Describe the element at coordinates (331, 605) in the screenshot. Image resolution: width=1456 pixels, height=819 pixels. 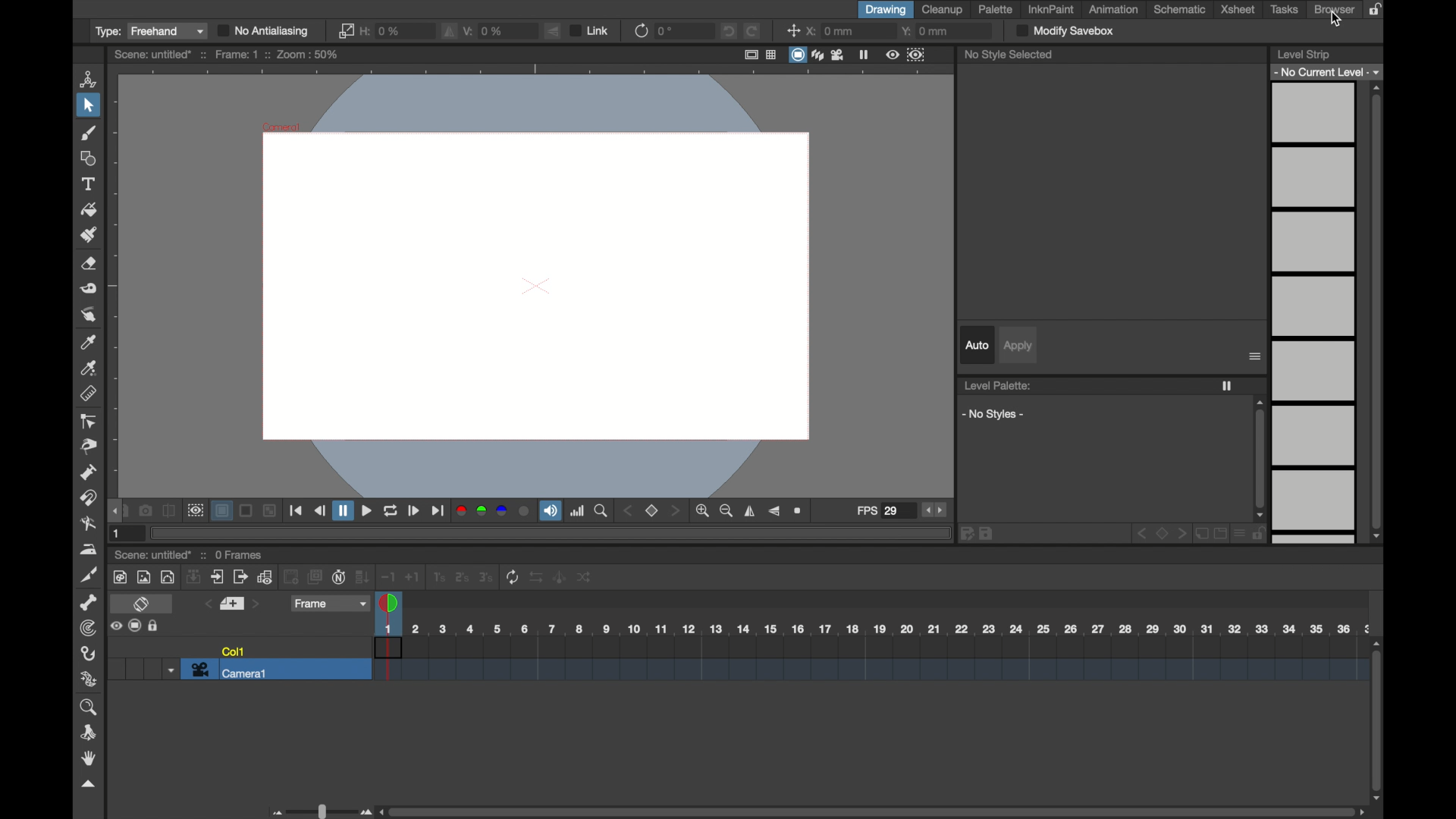
I see `frame` at that location.